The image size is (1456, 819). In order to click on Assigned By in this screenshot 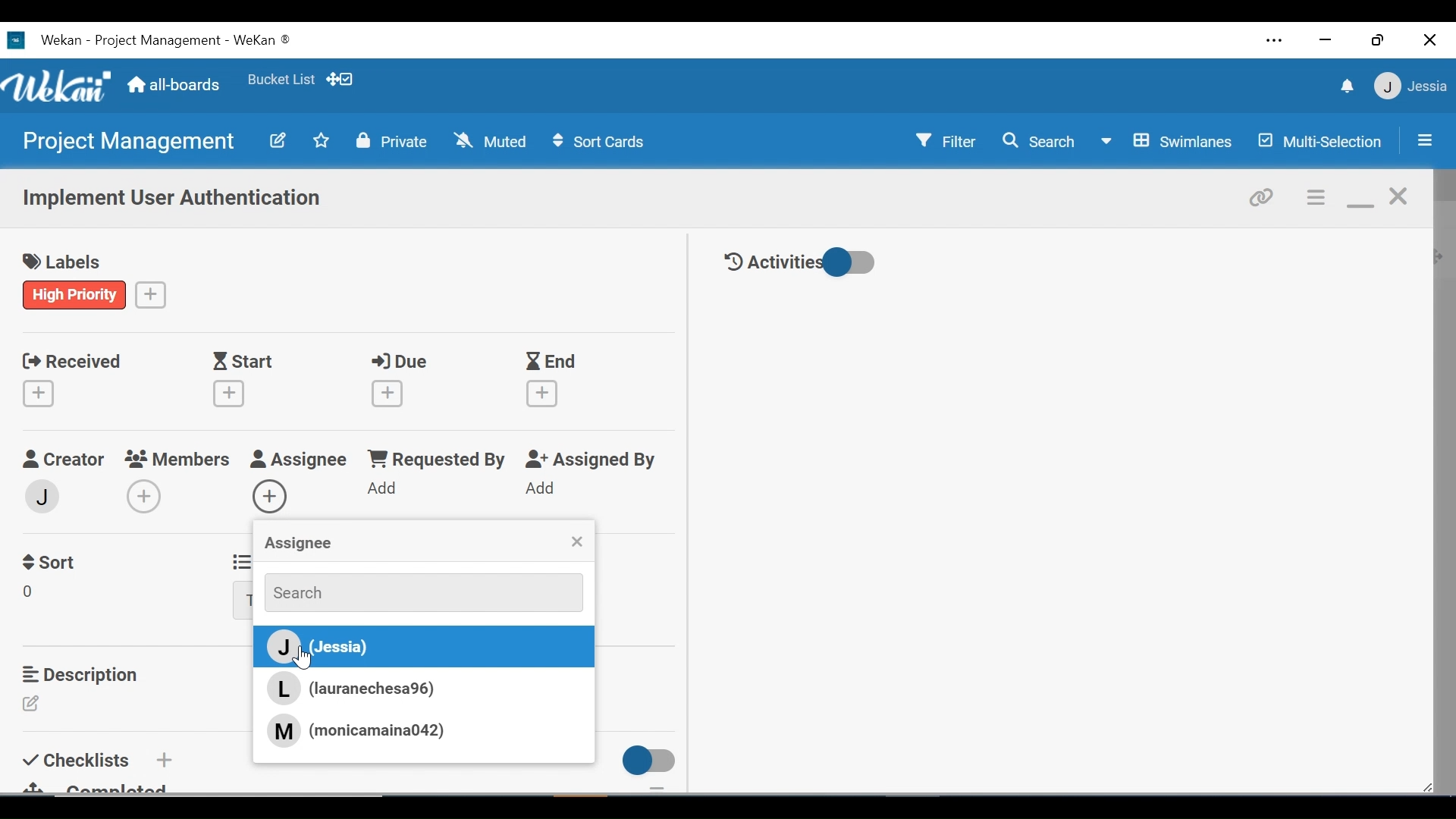, I will do `click(595, 460)`.